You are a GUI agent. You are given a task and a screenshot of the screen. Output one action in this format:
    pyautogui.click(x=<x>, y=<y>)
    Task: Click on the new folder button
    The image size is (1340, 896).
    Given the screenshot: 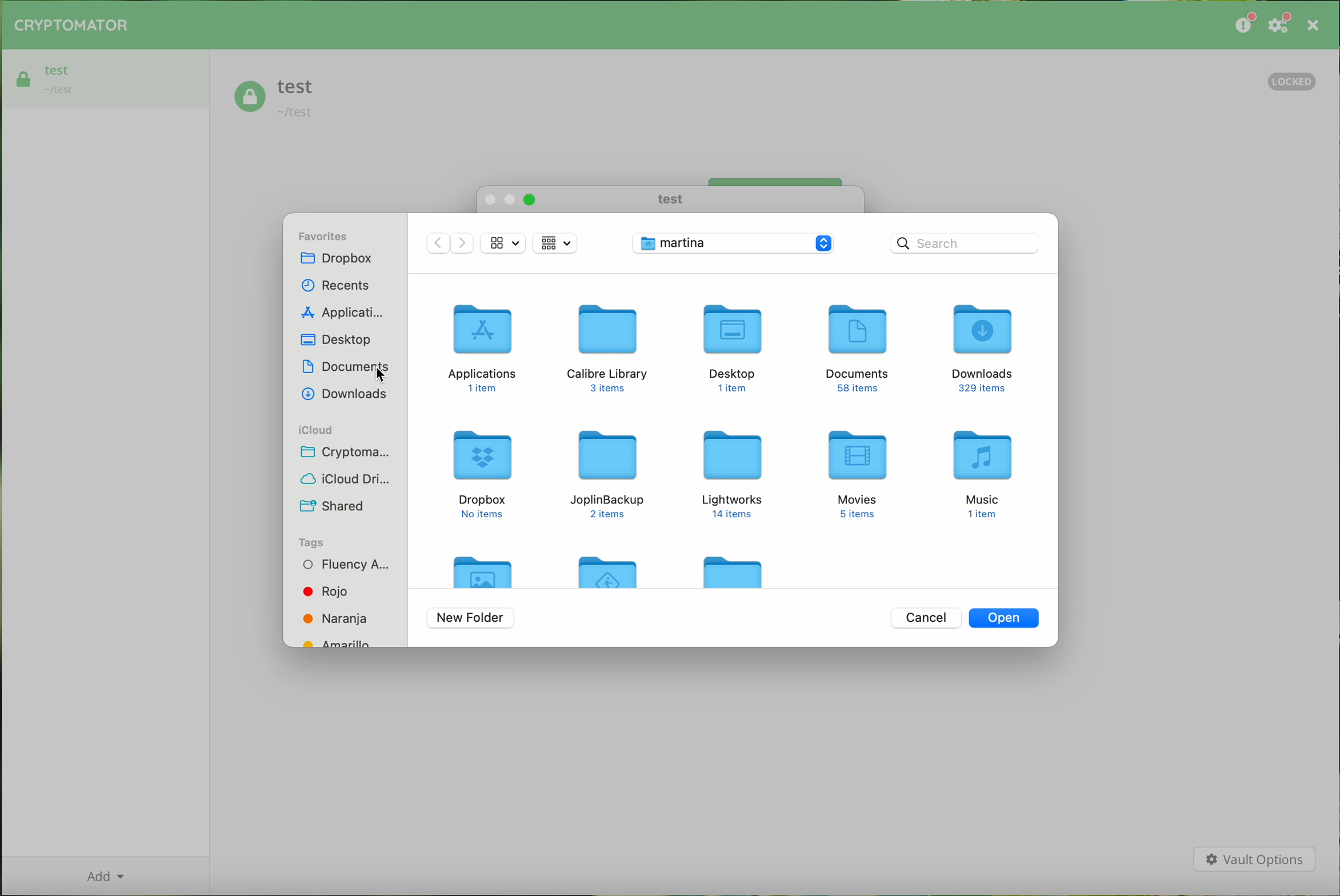 What is the action you would take?
    pyautogui.click(x=471, y=619)
    